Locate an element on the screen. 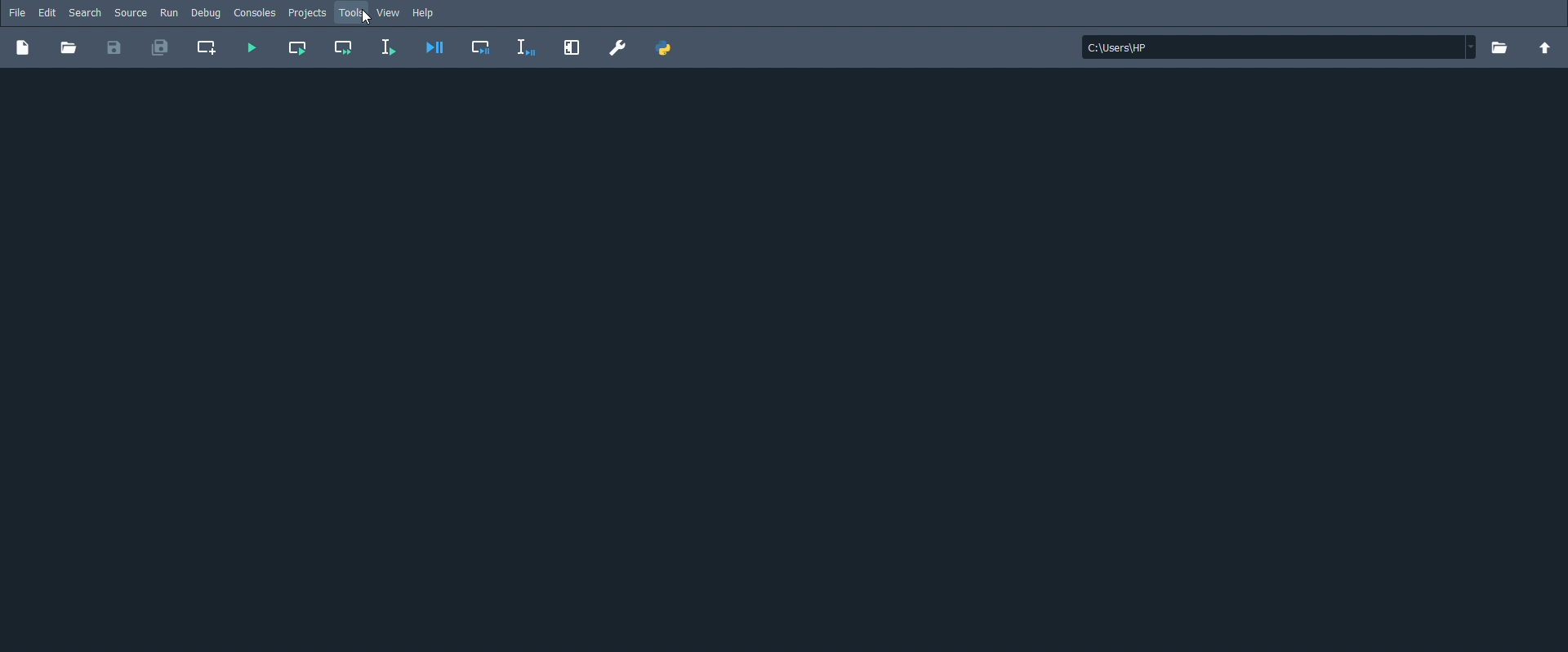 The height and width of the screenshot is (652, 1568). Create new cell at the current line is located at coordinates (209, 49).